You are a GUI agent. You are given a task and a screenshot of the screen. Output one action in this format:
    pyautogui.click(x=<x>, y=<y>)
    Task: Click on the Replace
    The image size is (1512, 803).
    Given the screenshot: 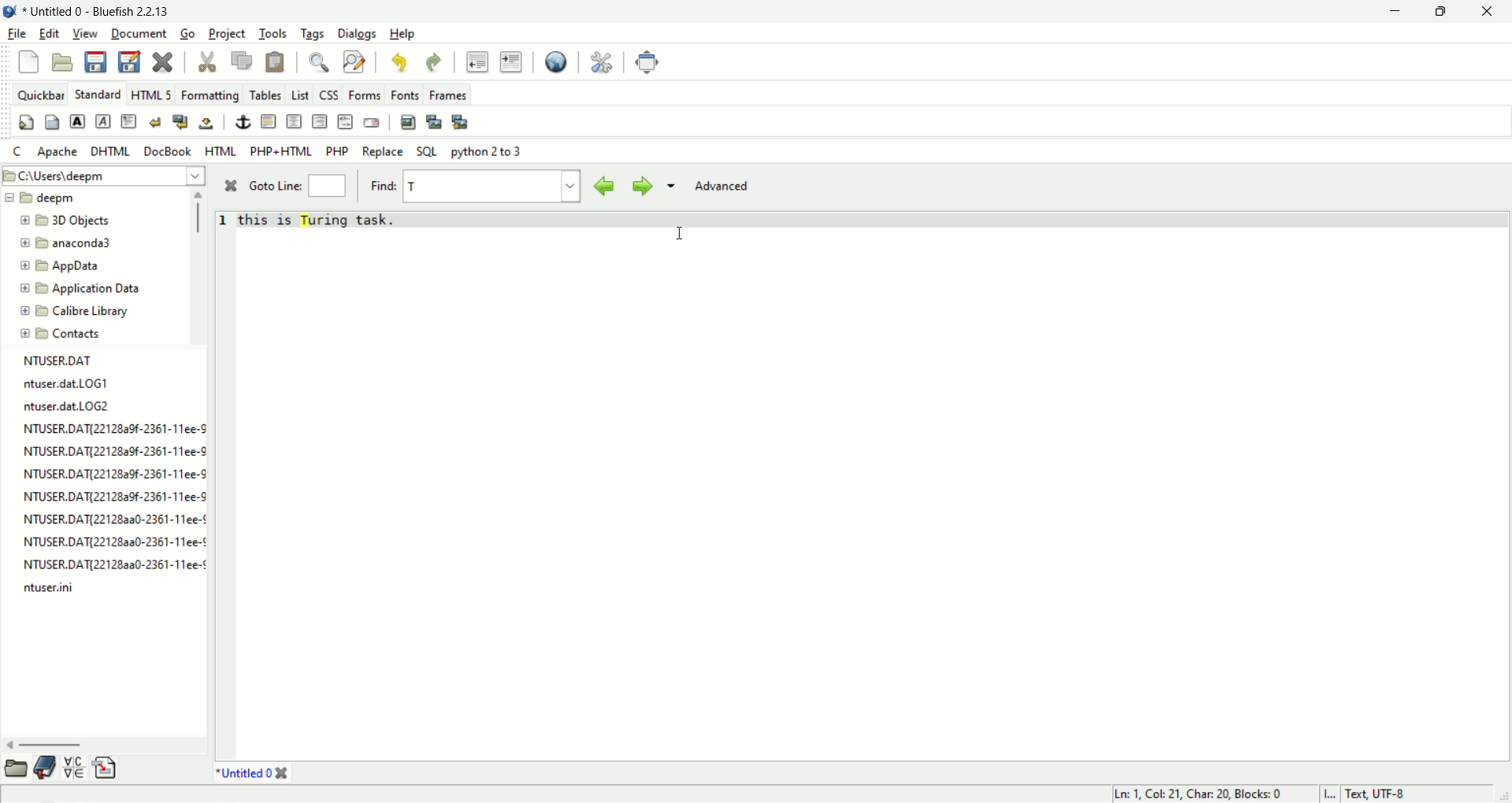 What is the action you would take?
    pyautogui.click(x=383, y=152)
    